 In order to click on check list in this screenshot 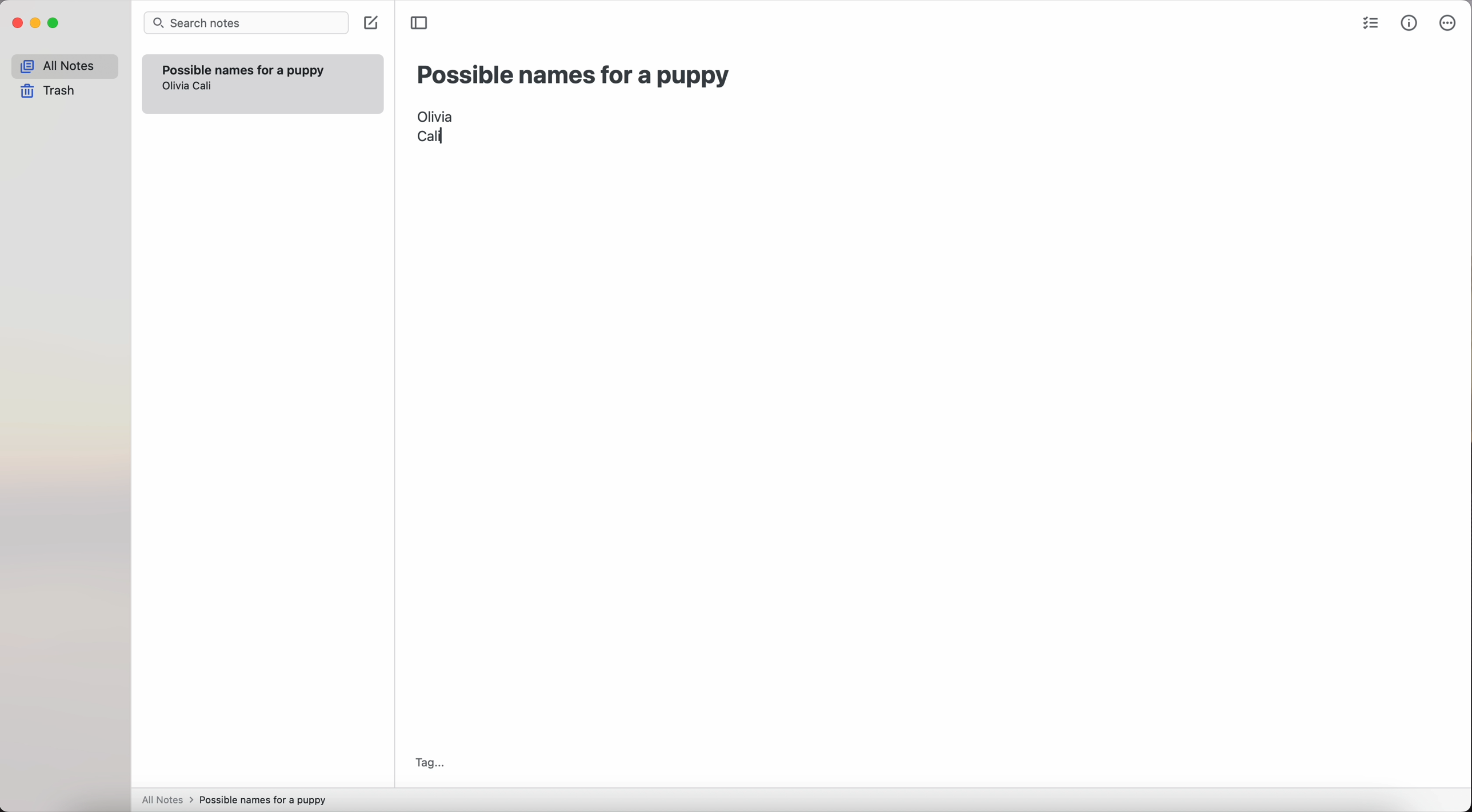, I will do `click(1370, 25)`.